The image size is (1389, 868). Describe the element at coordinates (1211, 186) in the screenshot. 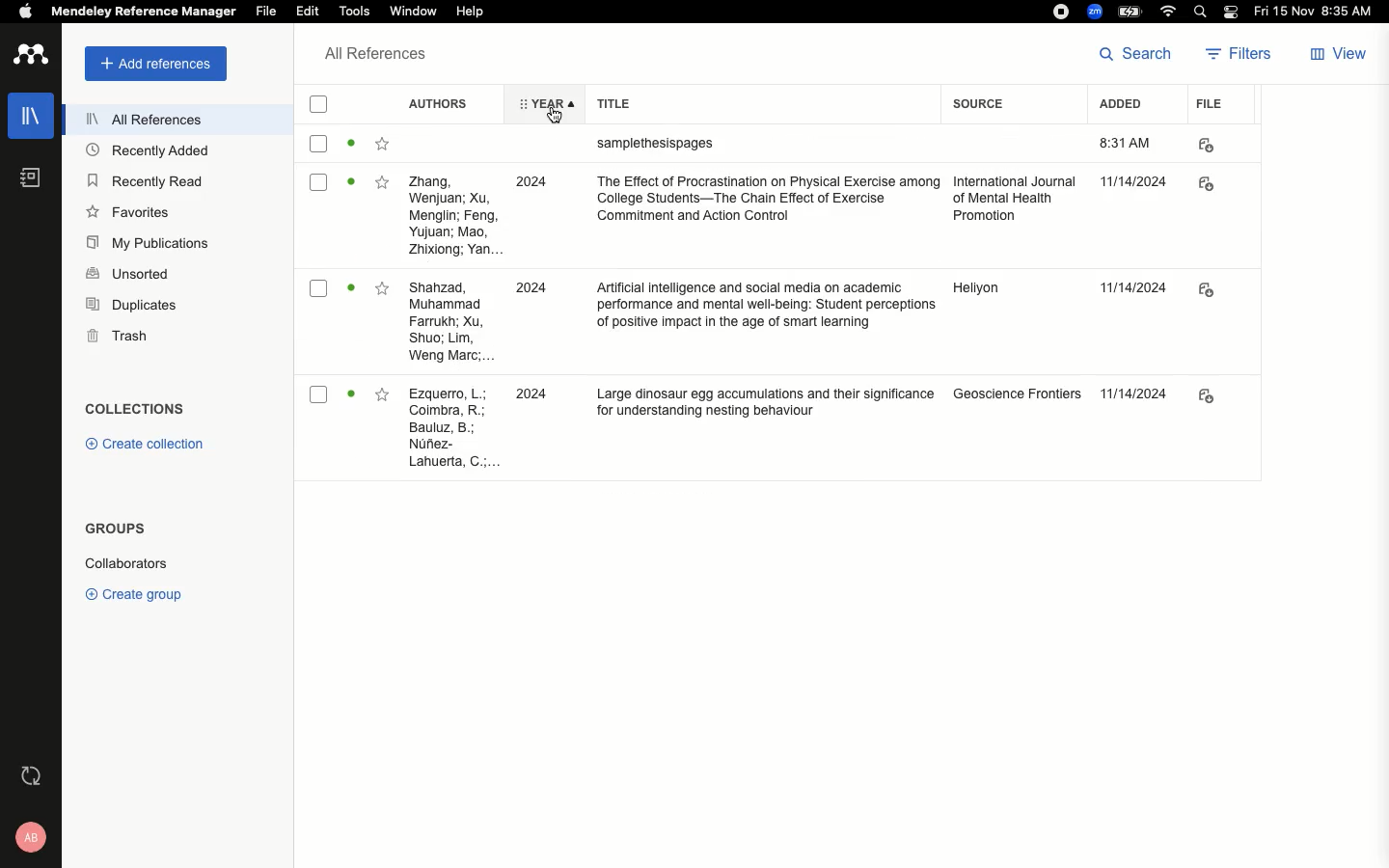

I see `file` at that location.